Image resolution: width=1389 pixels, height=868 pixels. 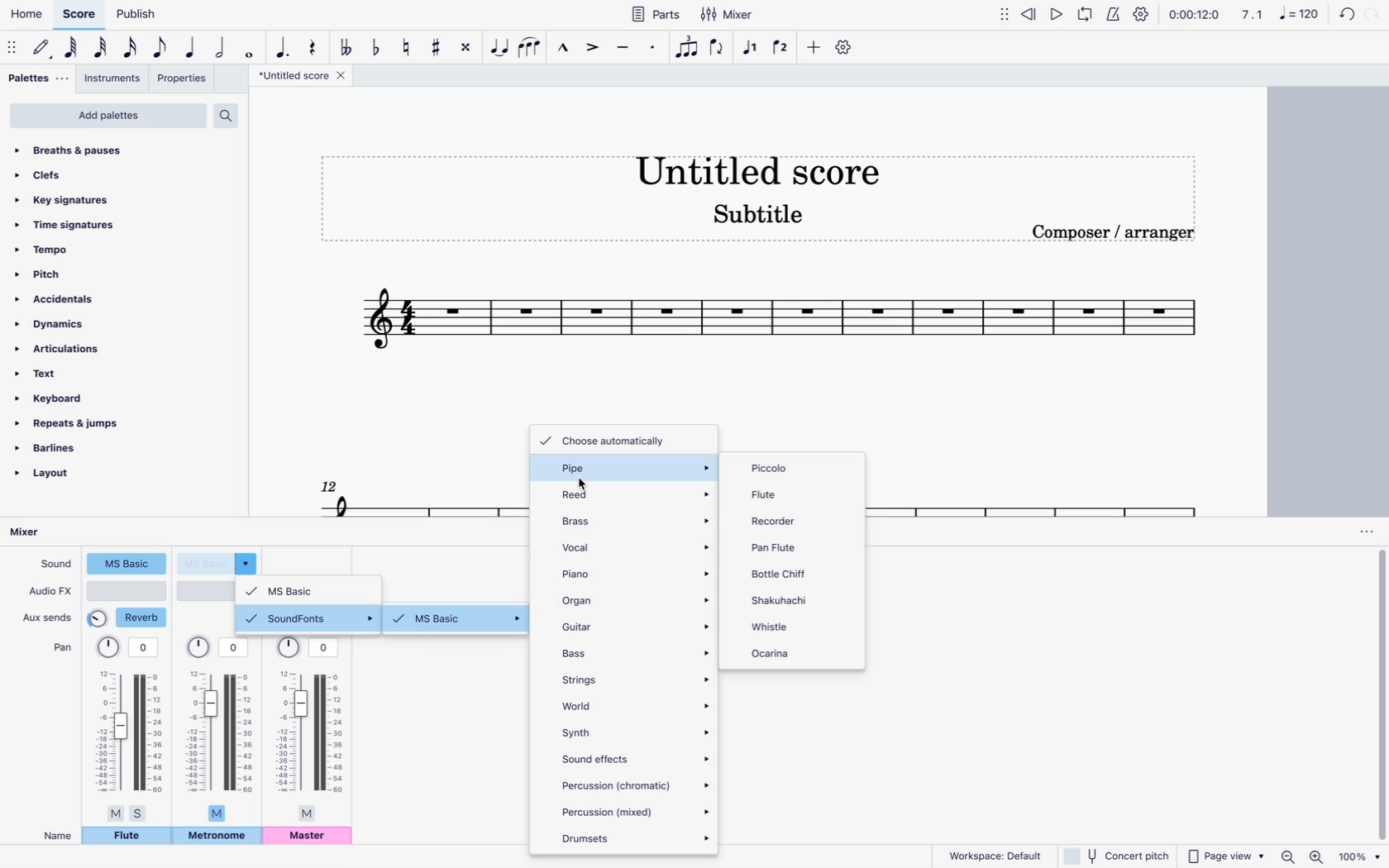 I want to click on aux sends, so click(x=50, y=617).